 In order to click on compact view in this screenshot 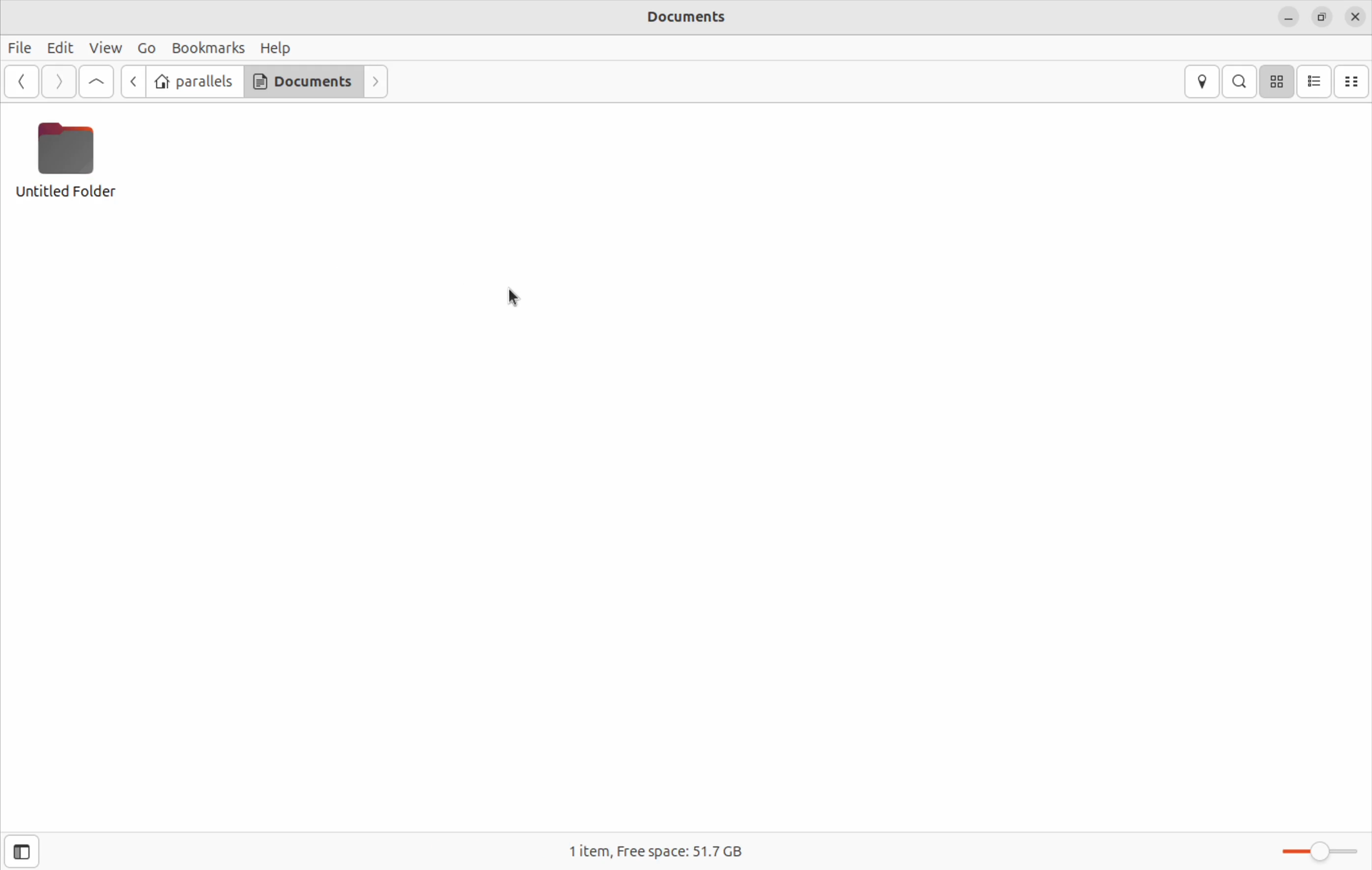, I will do `click(1355, 80)`.